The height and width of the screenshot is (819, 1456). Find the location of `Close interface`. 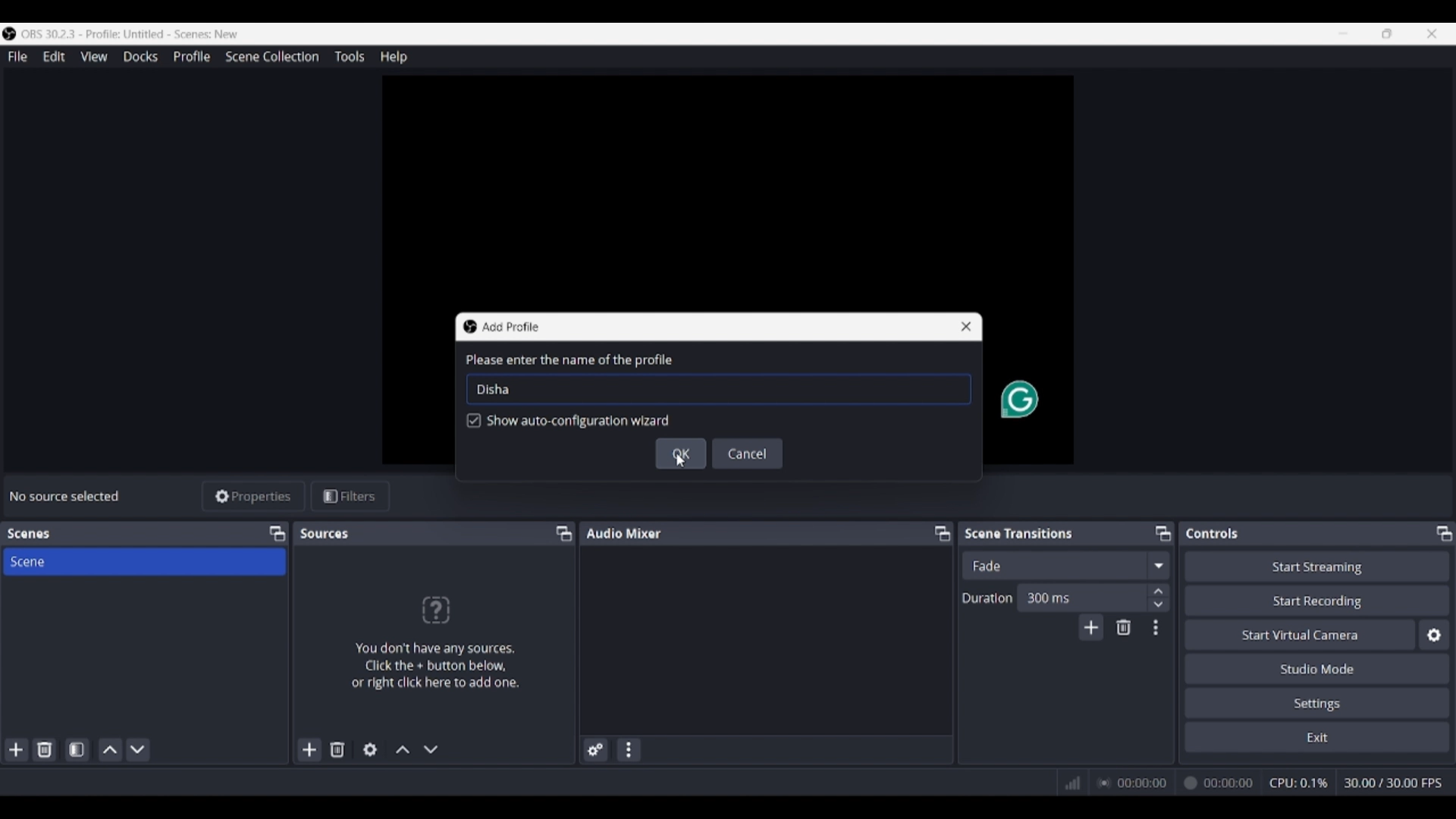

Close interface is located at coordinates (1432, 33).